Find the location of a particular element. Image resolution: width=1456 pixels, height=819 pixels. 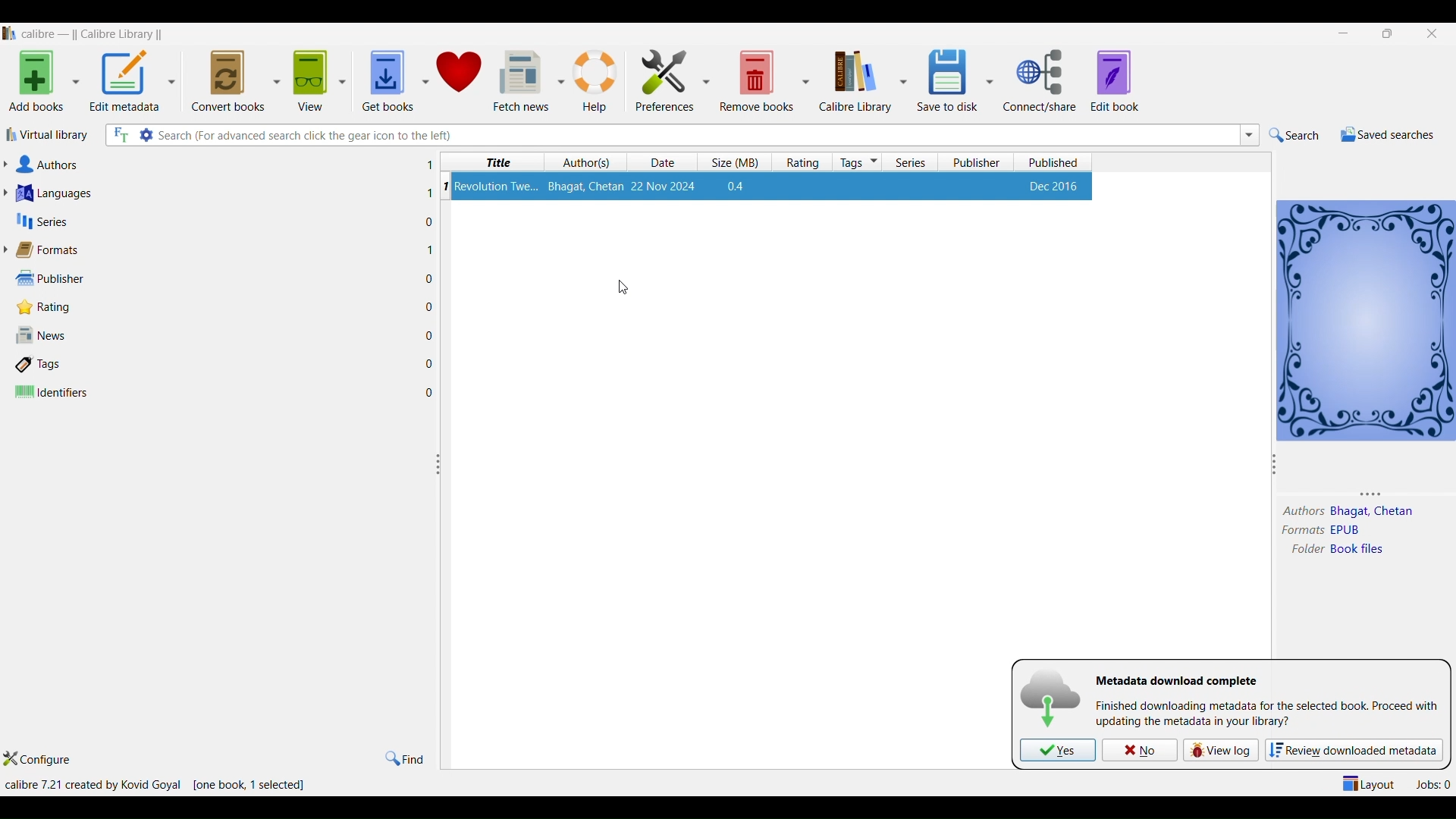

formats is located at coordinates (52, 249).